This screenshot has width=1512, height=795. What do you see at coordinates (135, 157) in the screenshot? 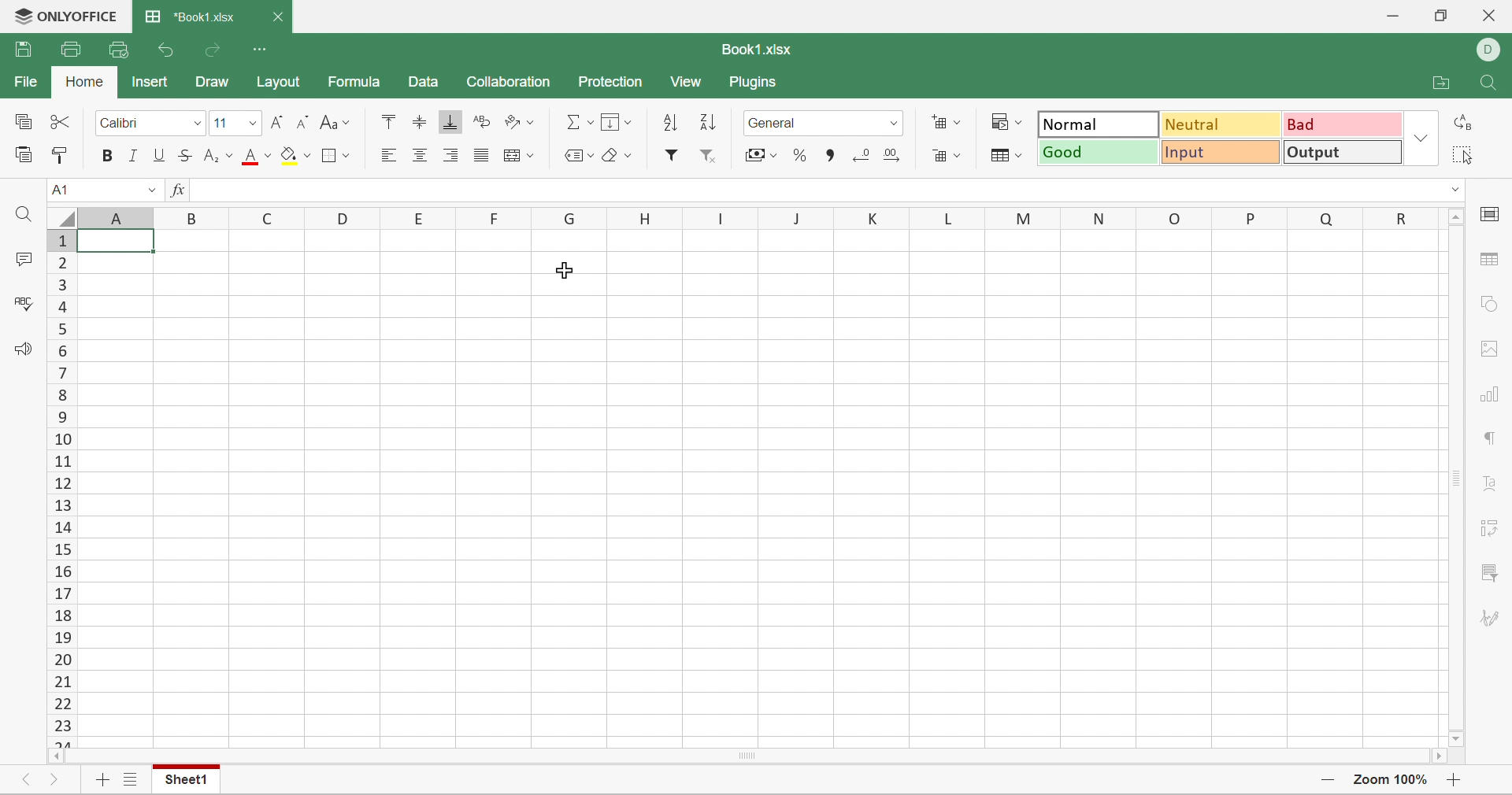
I see `Italic` at bounding box center [135, 157].